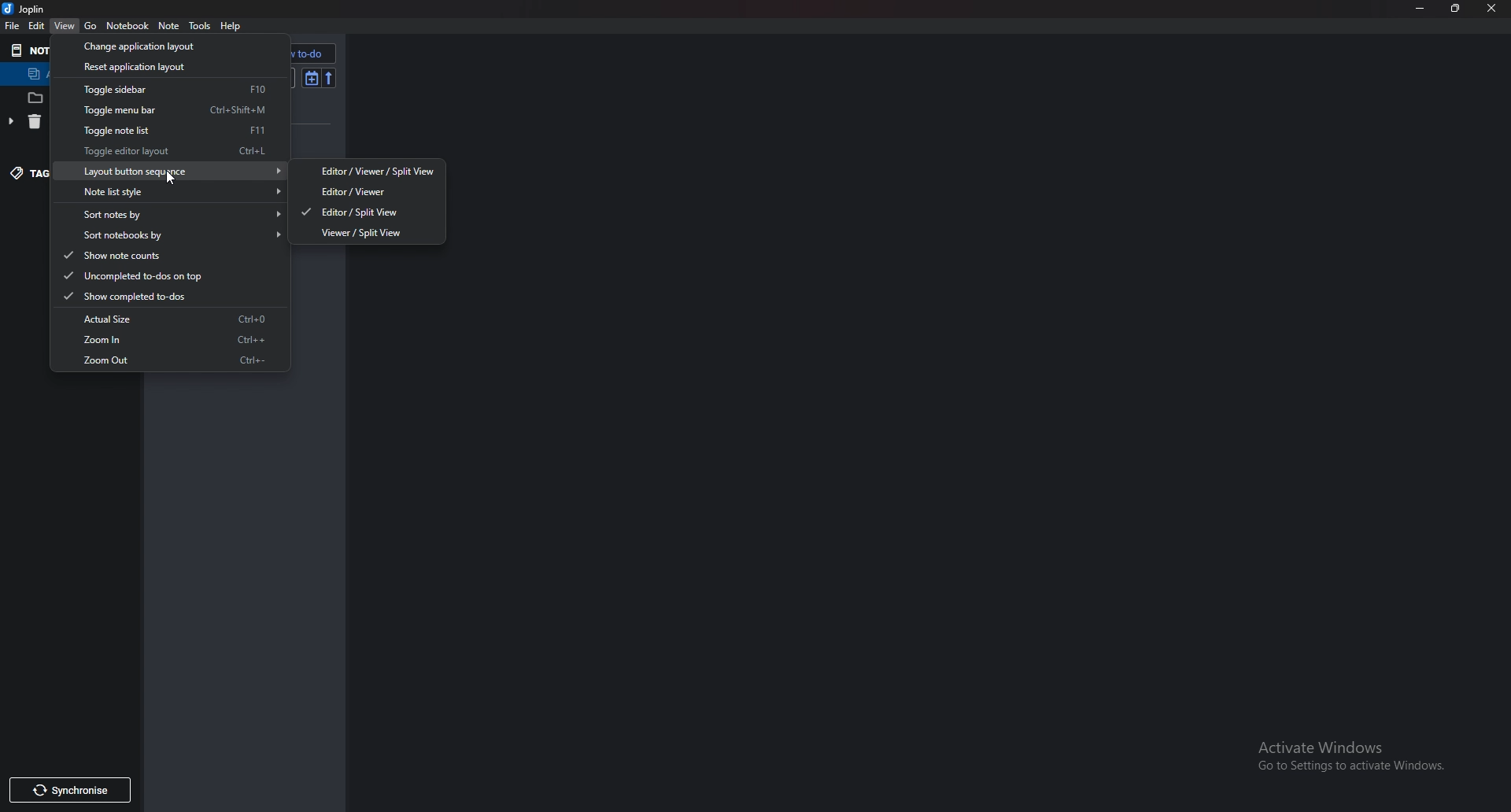  I want to click on Note, so click(171, 26).